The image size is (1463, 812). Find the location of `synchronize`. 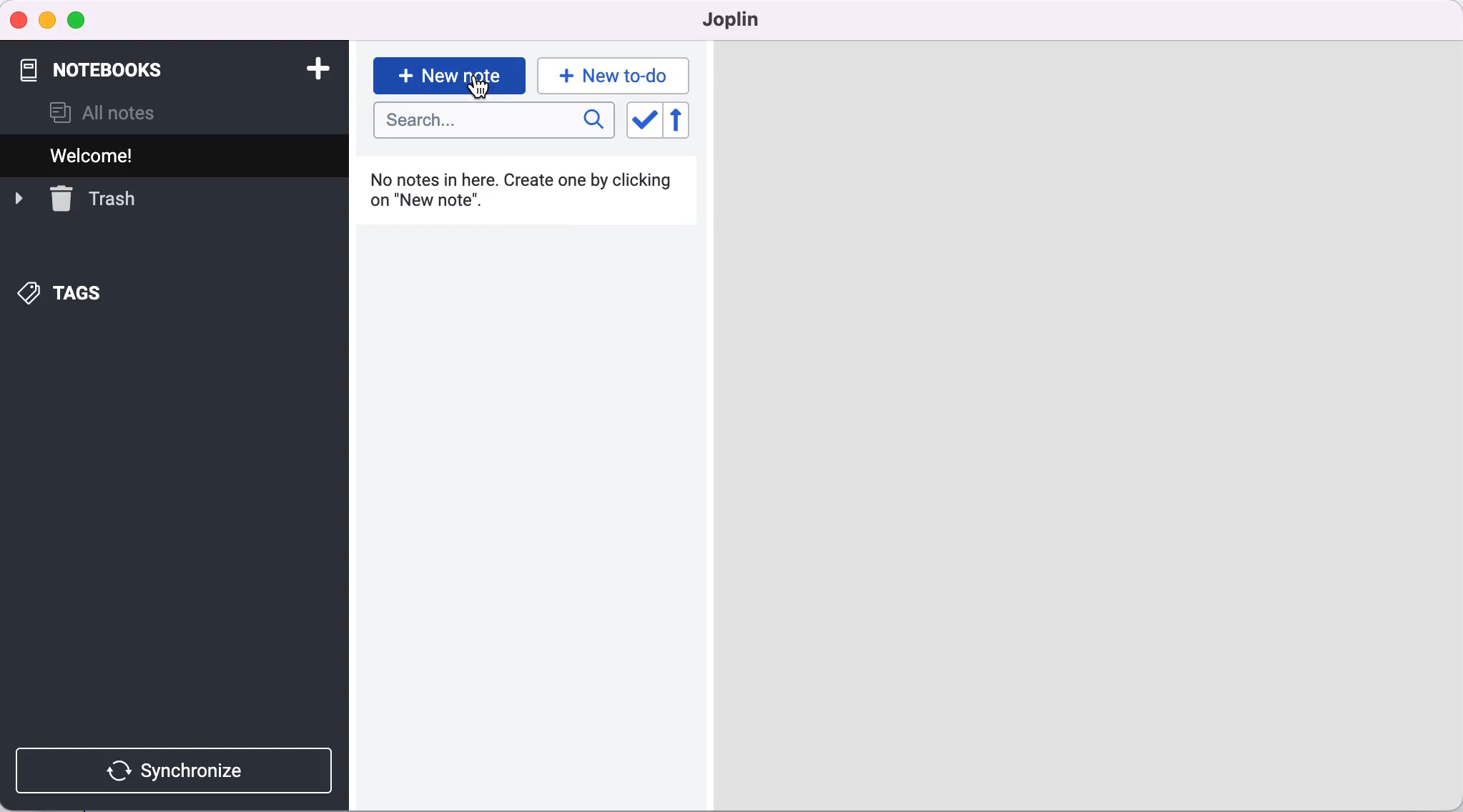

synchronize is located at coordinates (177, 771).